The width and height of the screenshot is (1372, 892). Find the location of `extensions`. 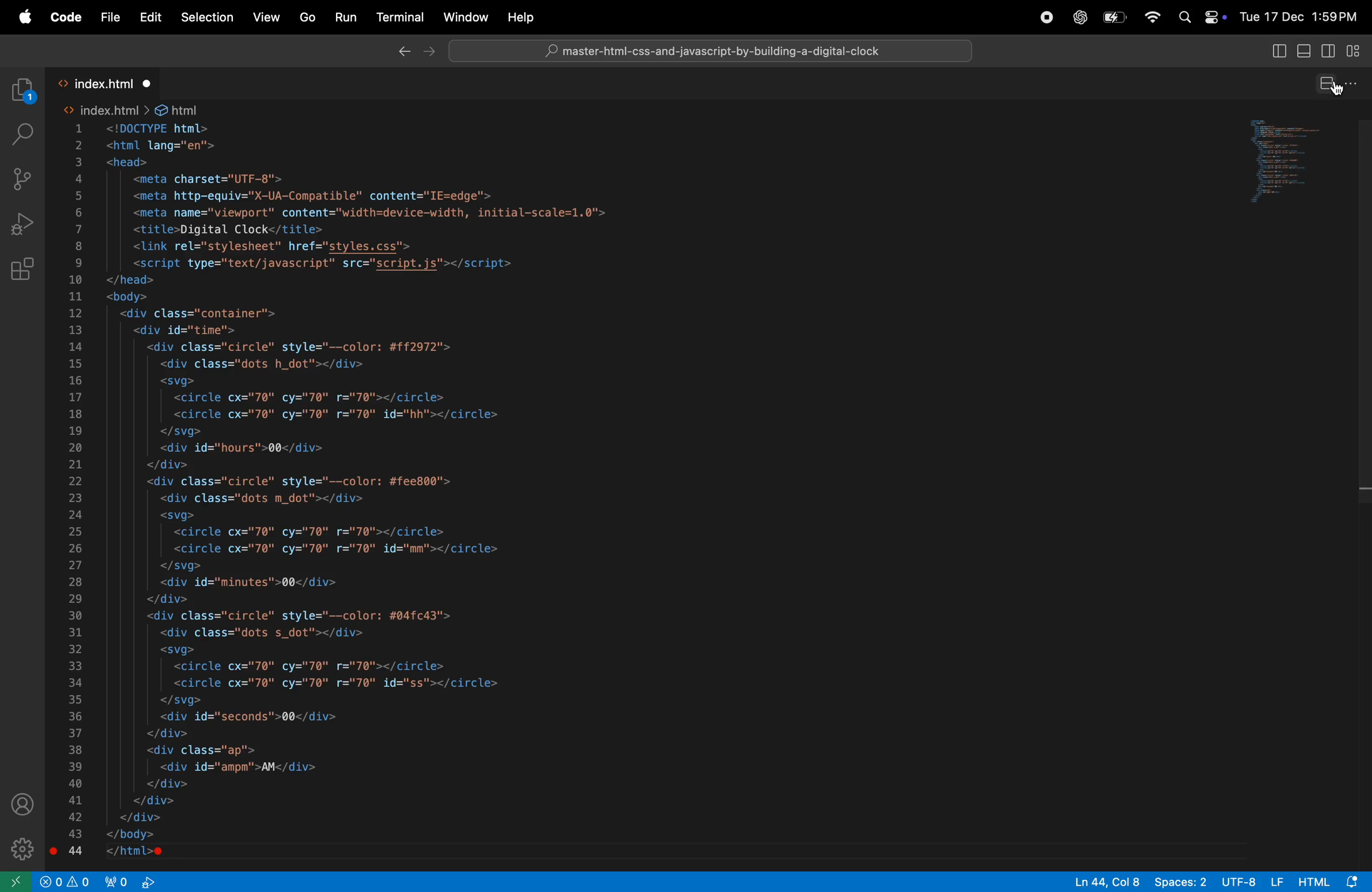

extensions is located at coordinates (24, 270).